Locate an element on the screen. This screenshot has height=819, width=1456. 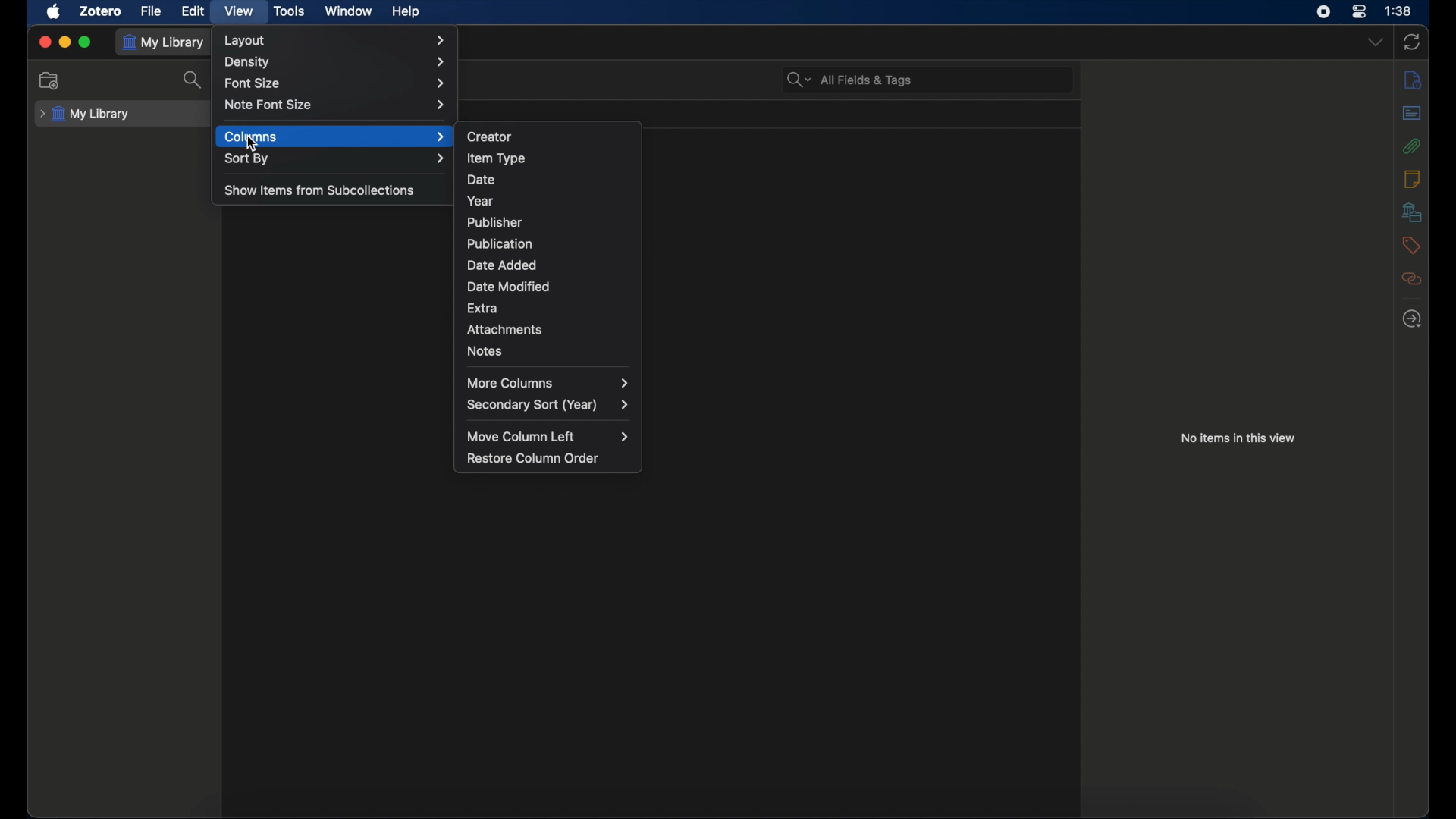
sort by is located at coordinates (335, 159).